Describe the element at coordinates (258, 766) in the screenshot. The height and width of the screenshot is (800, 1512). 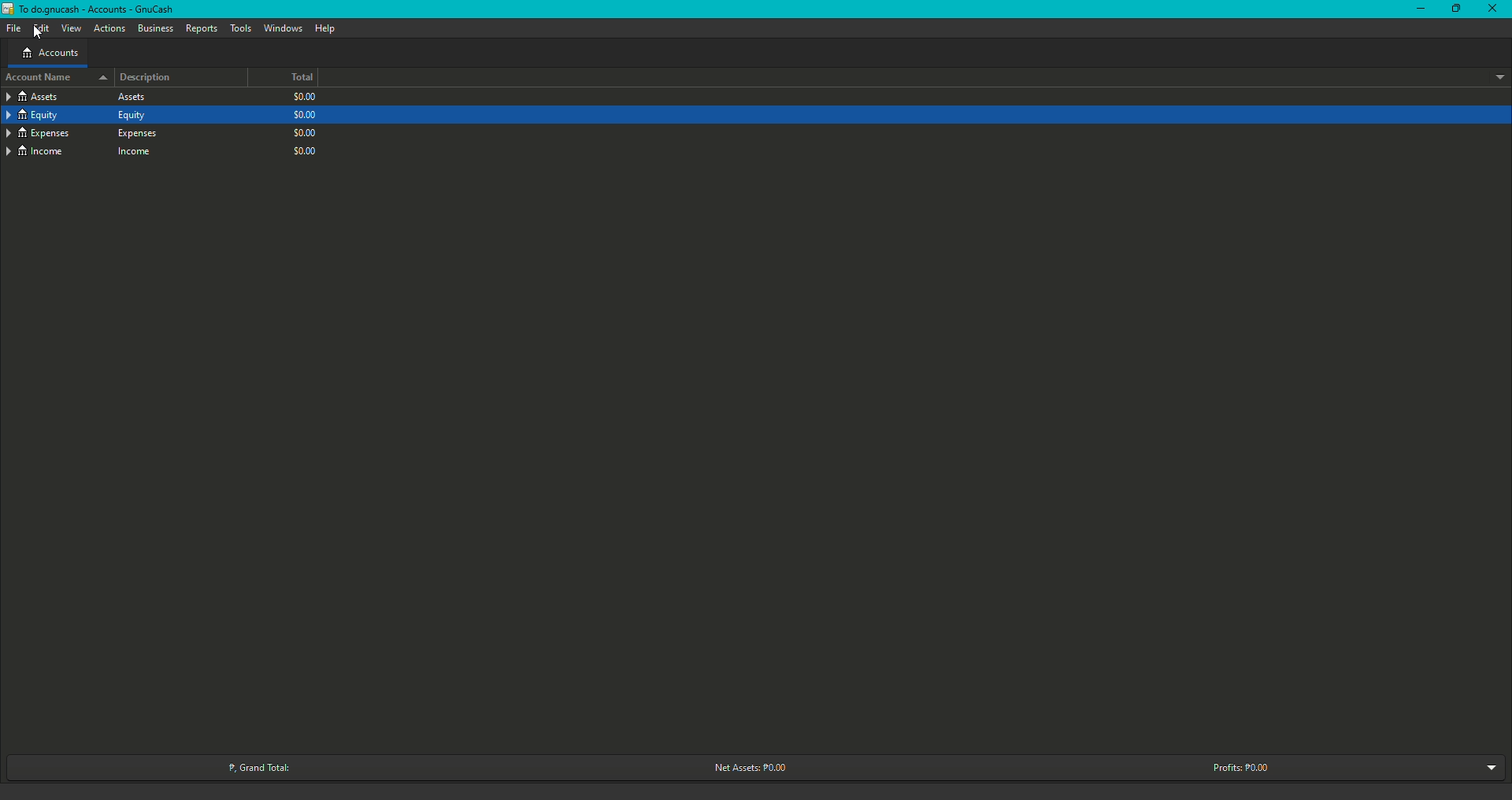
I see `Grand Total` at that location.